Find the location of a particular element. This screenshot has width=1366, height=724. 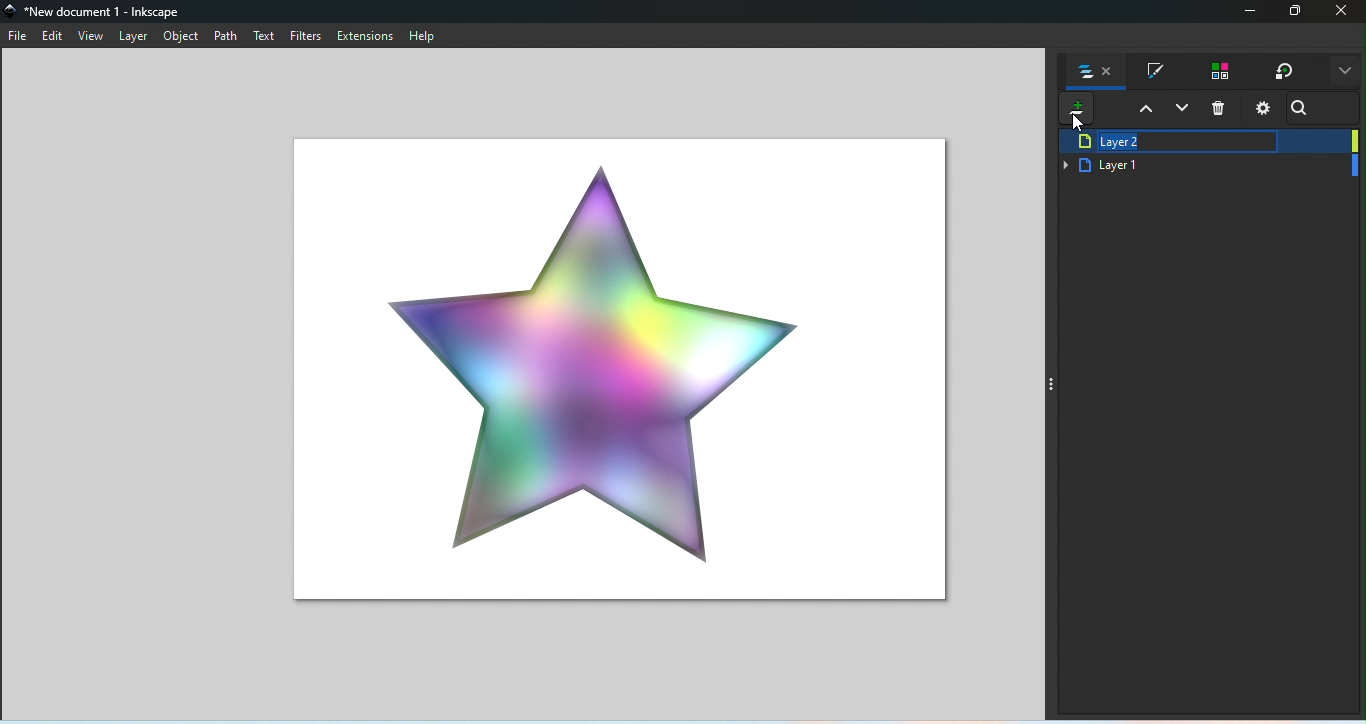

Text is located at coordinates (264, 37).